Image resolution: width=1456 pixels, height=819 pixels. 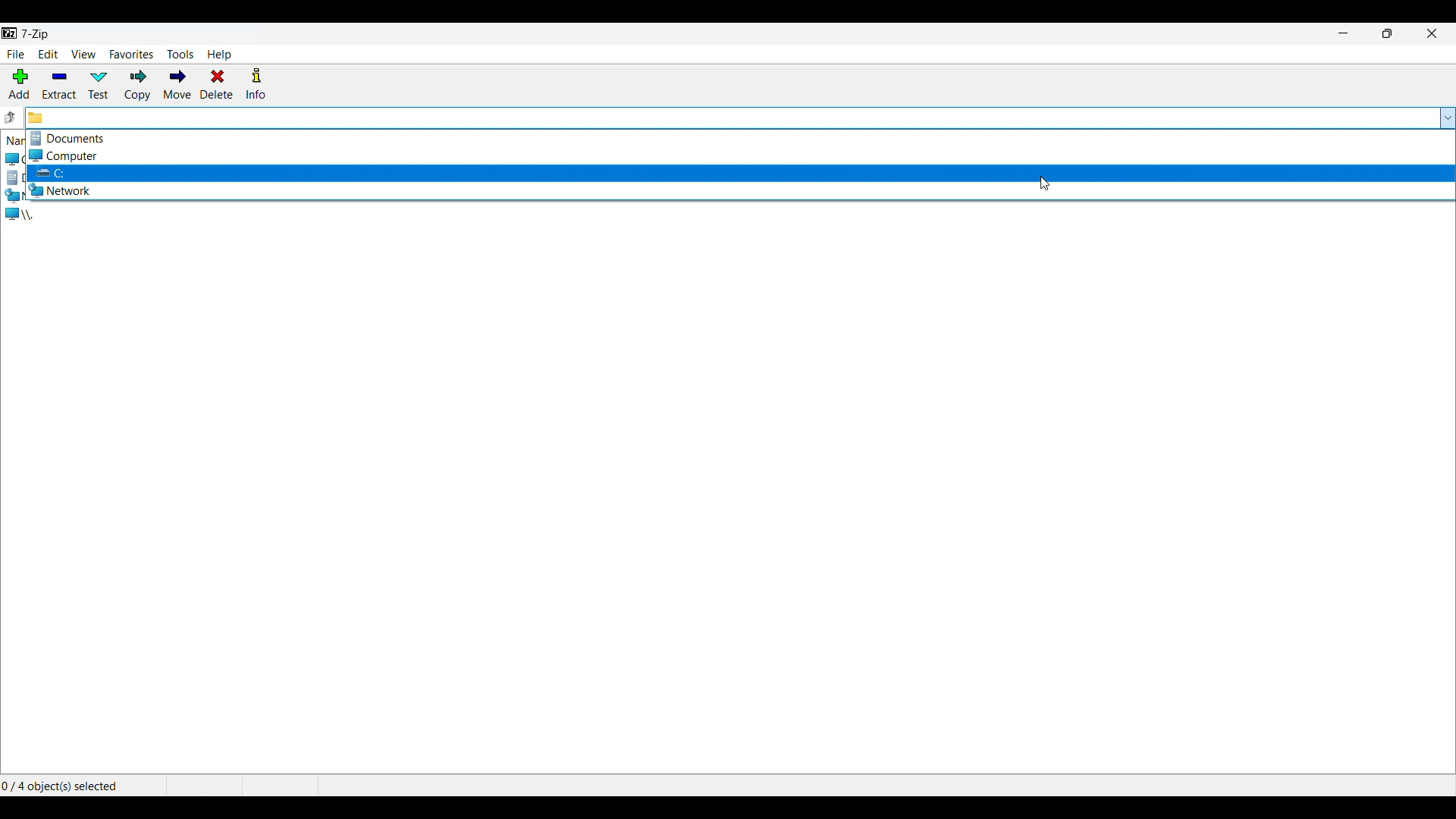 I want to click on title, so click(x=36, y=34).